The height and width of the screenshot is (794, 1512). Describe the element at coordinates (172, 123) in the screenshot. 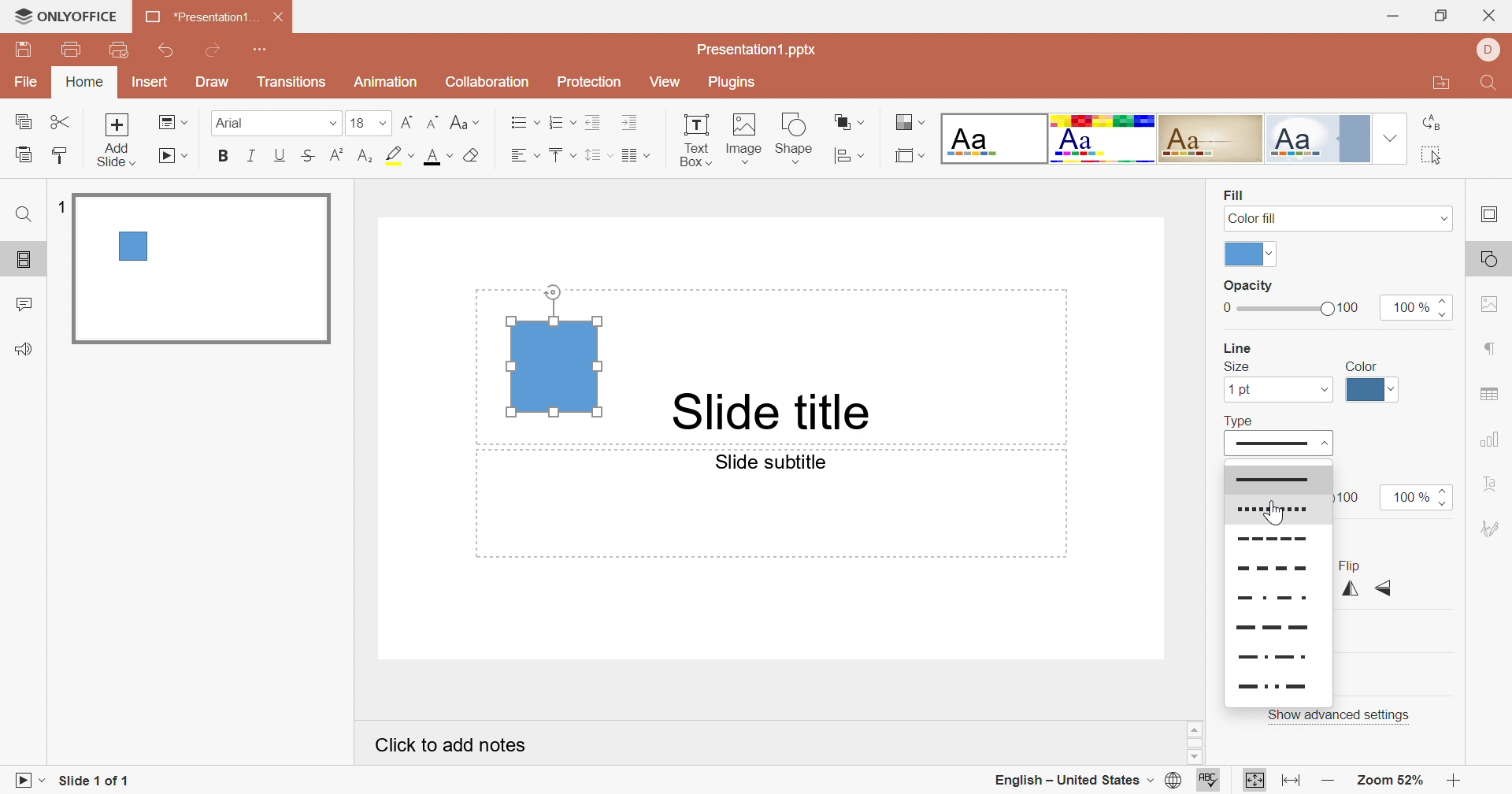

I see `Change slide layout` at that location.